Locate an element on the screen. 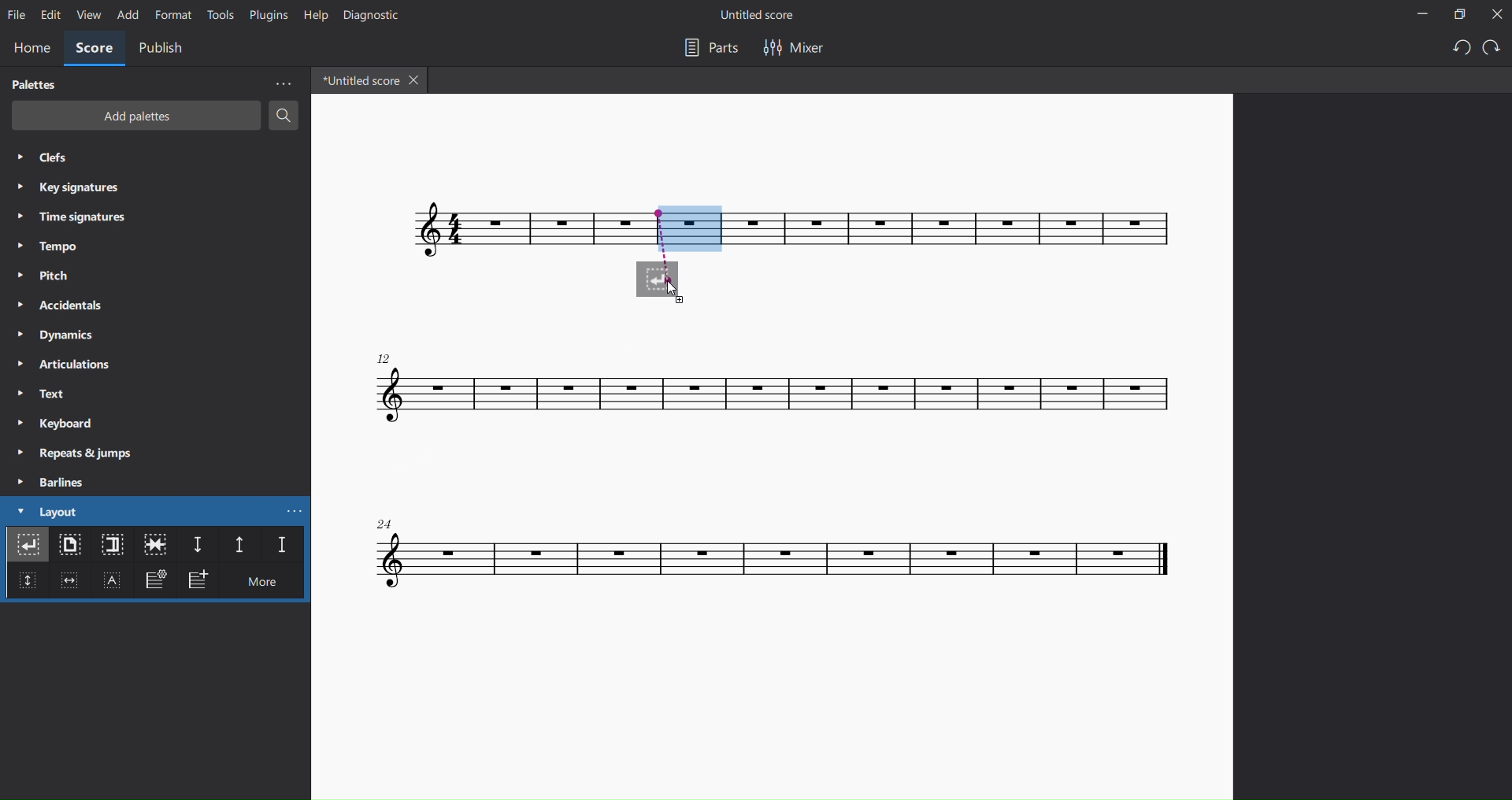 This screenshot has width=1512, height=800. search is located at coordinates (285, 118).